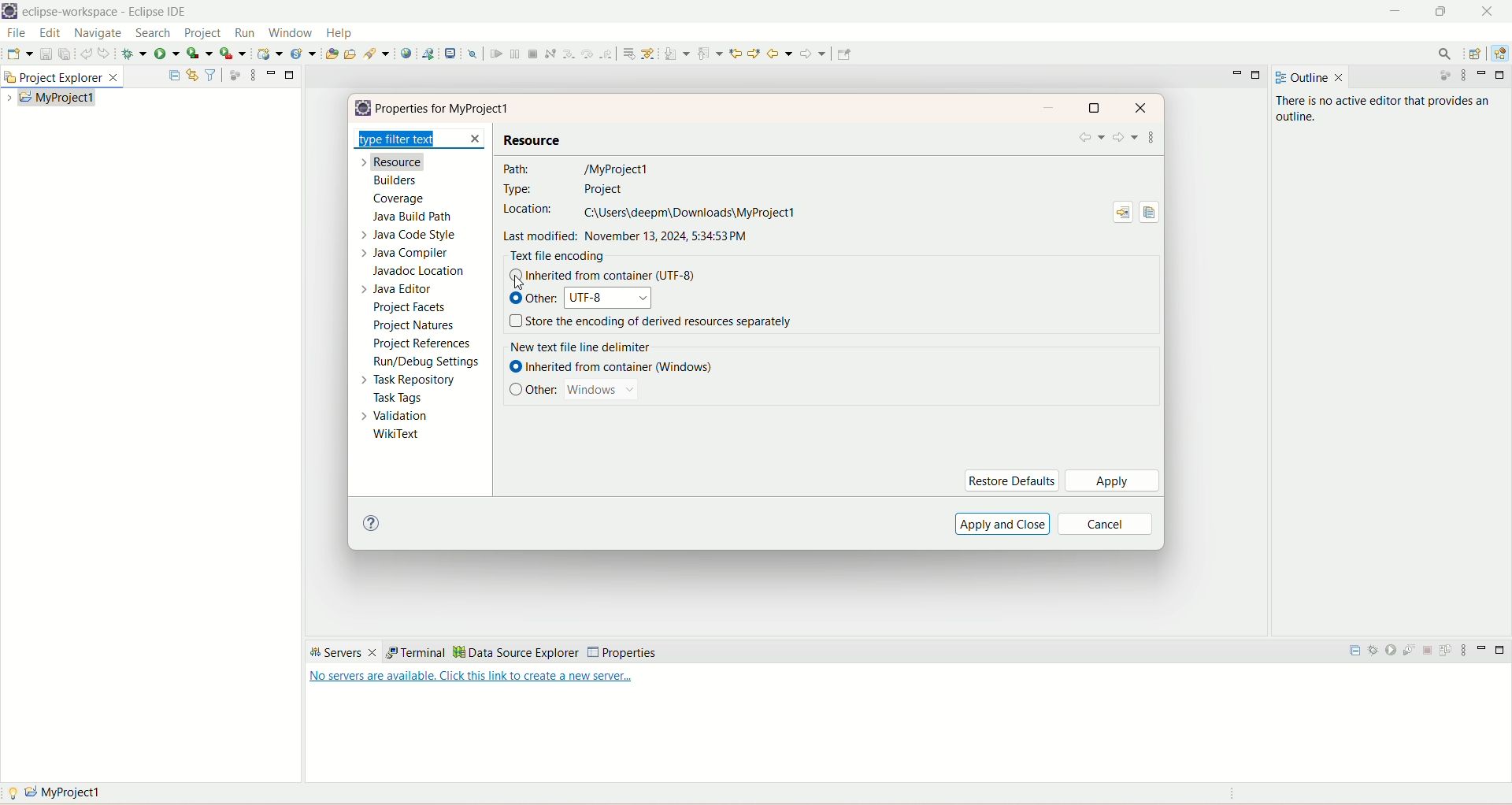 The height and width of the screenshot is (805, 1512). I want to click on apply and close, so click(1001, 523).